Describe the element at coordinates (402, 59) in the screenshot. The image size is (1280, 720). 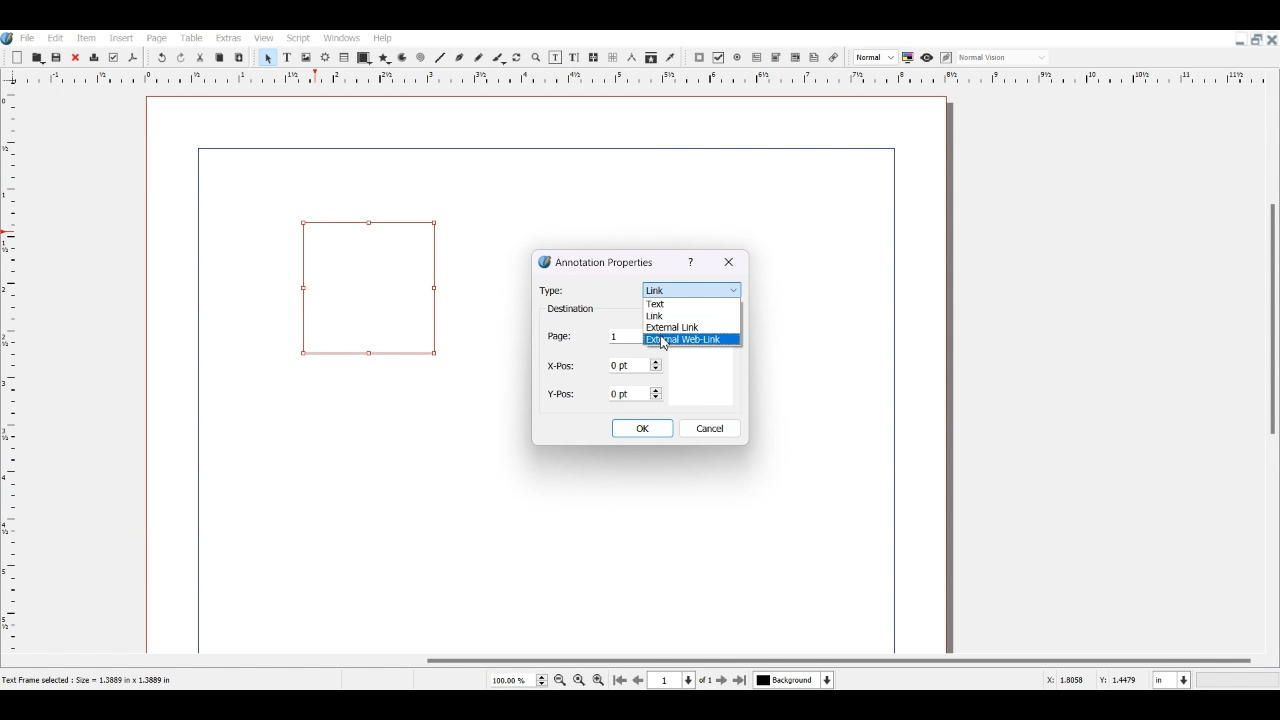
I see `Arc` at that location.